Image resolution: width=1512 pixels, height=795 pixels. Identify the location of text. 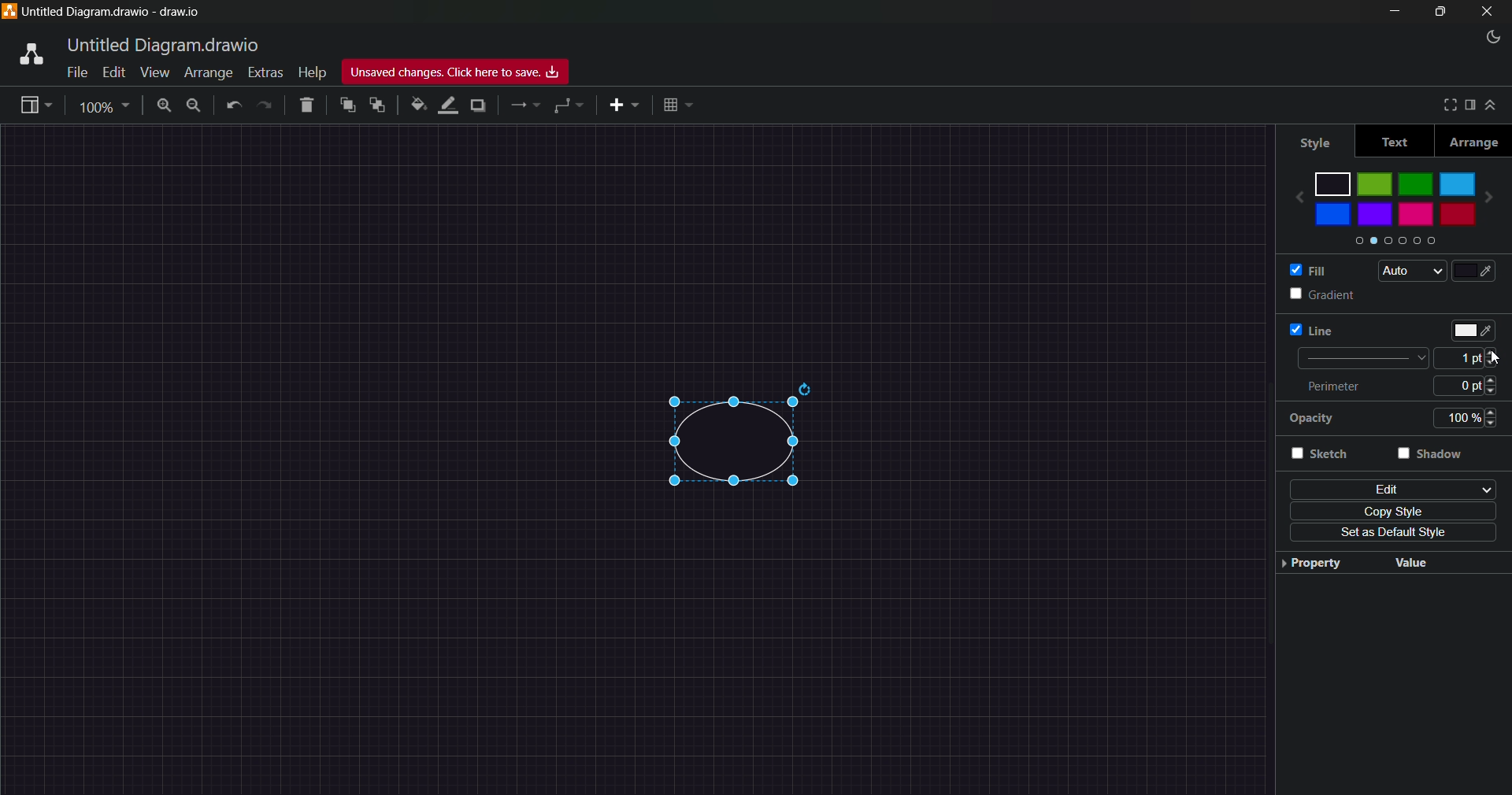
(1404, 141).